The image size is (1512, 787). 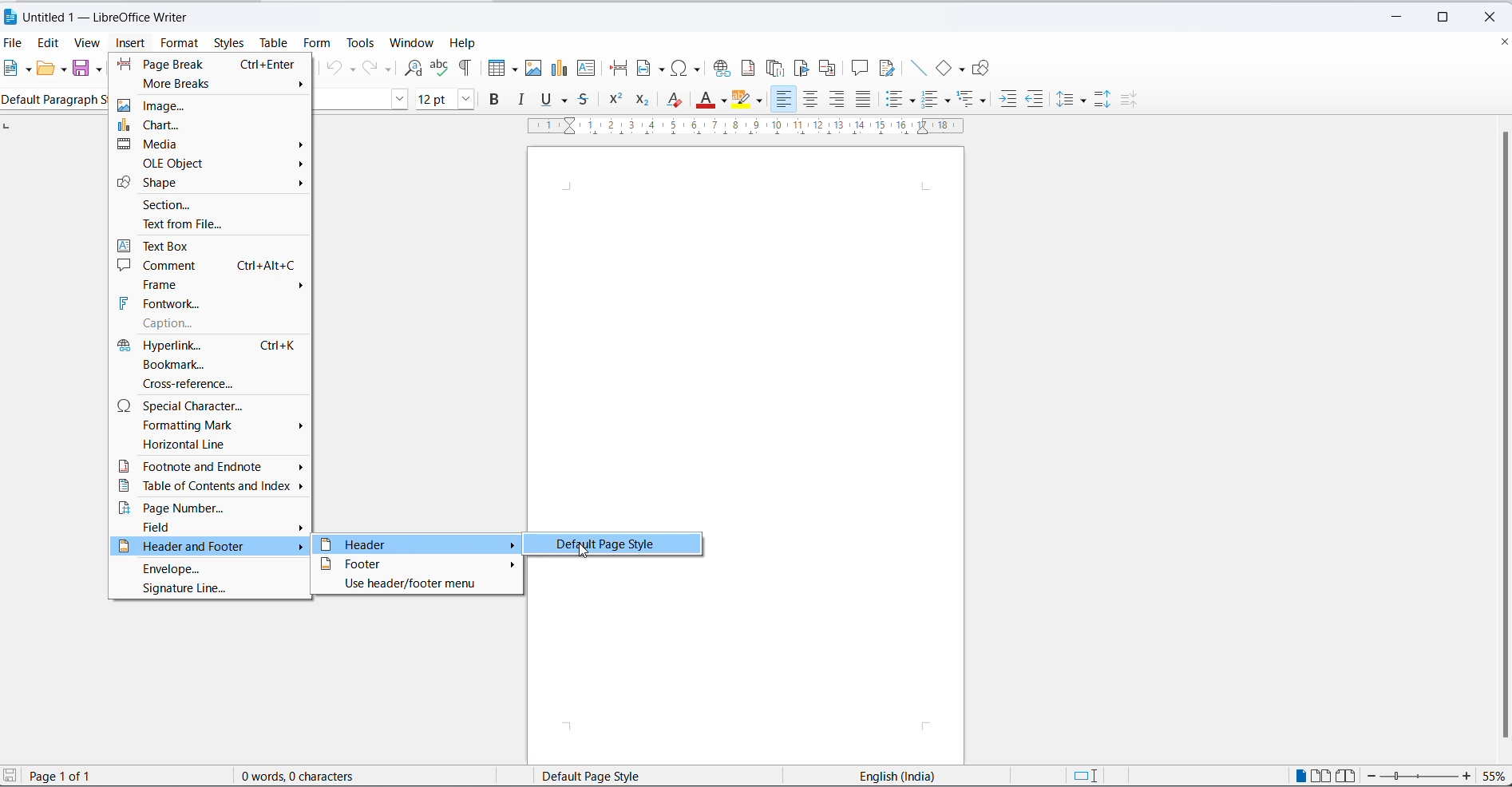 I want to click on open, so click(x=45, y=69).